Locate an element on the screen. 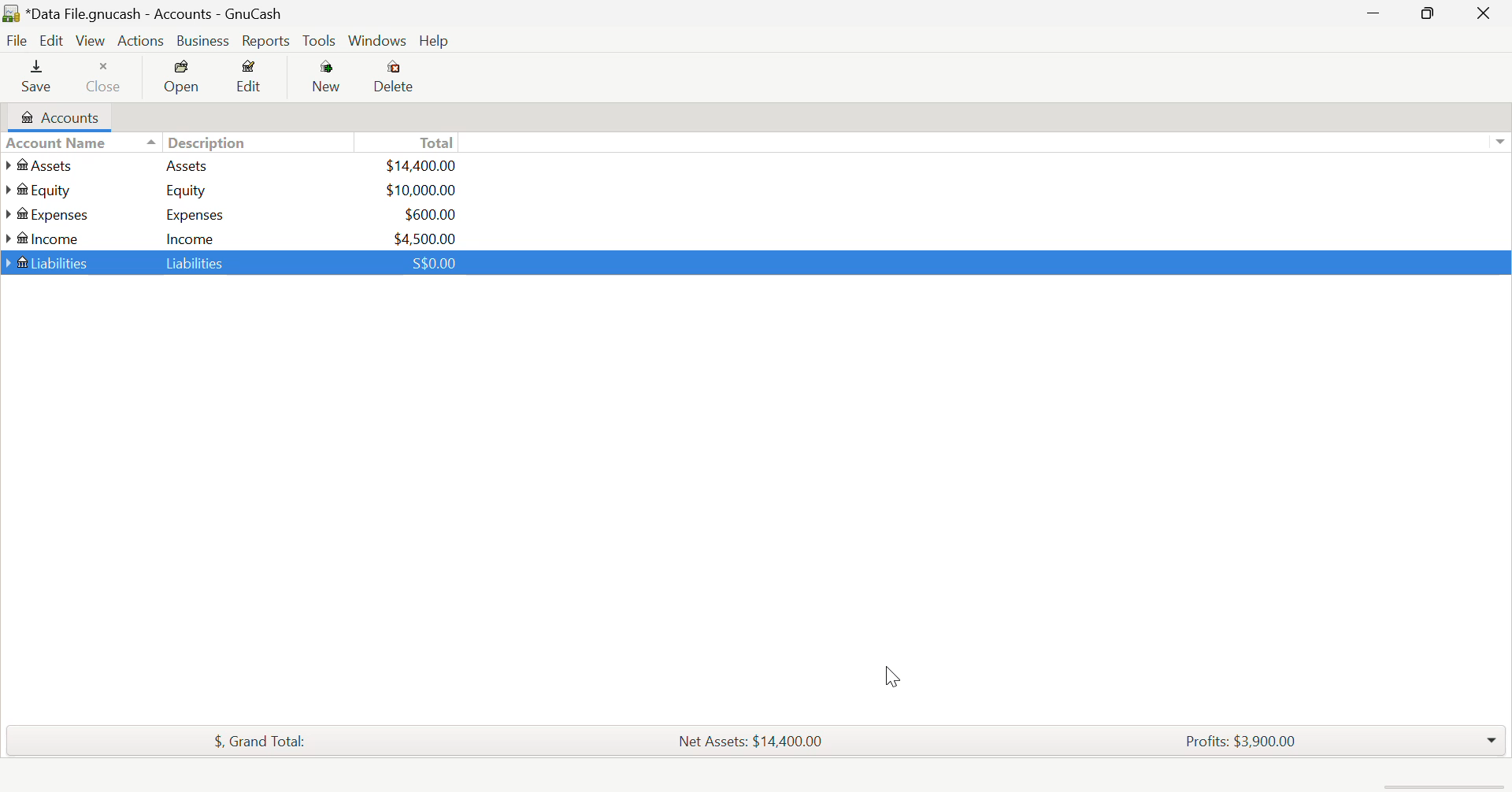  Assets Account is located at coordinates (42, 165).